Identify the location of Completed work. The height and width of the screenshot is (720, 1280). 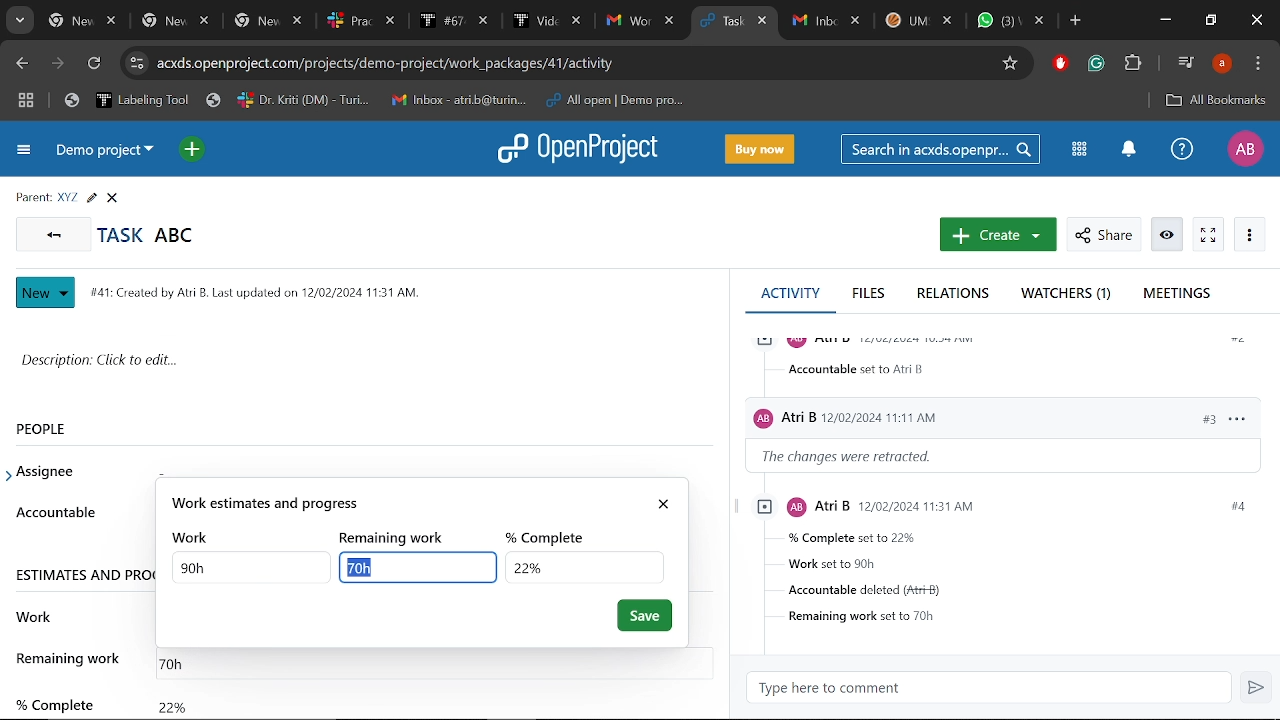
(172, 702).